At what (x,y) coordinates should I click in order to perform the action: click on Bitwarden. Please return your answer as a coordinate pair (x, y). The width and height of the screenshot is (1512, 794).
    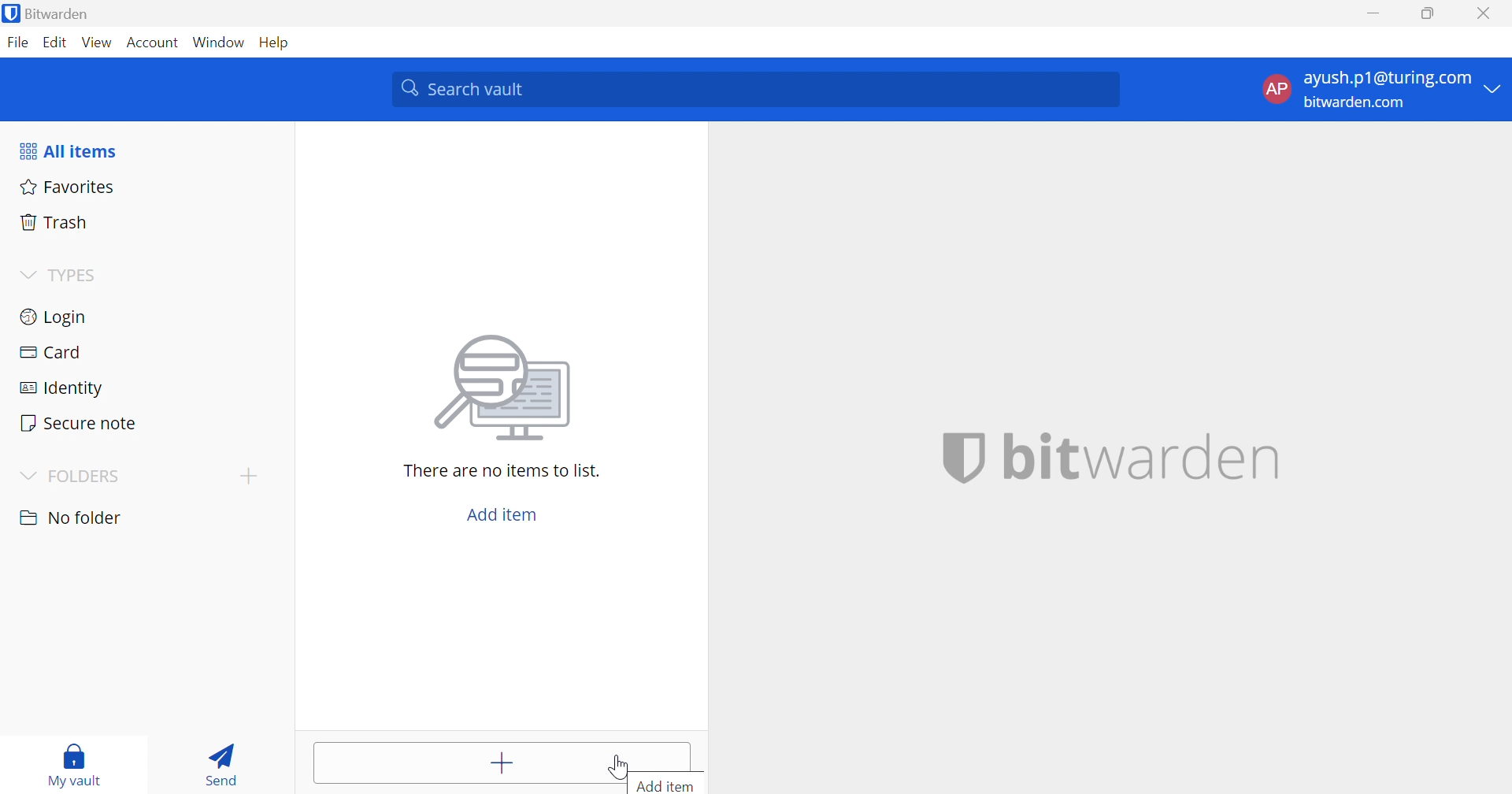
    Looking at the image, I should click on (48, 13).